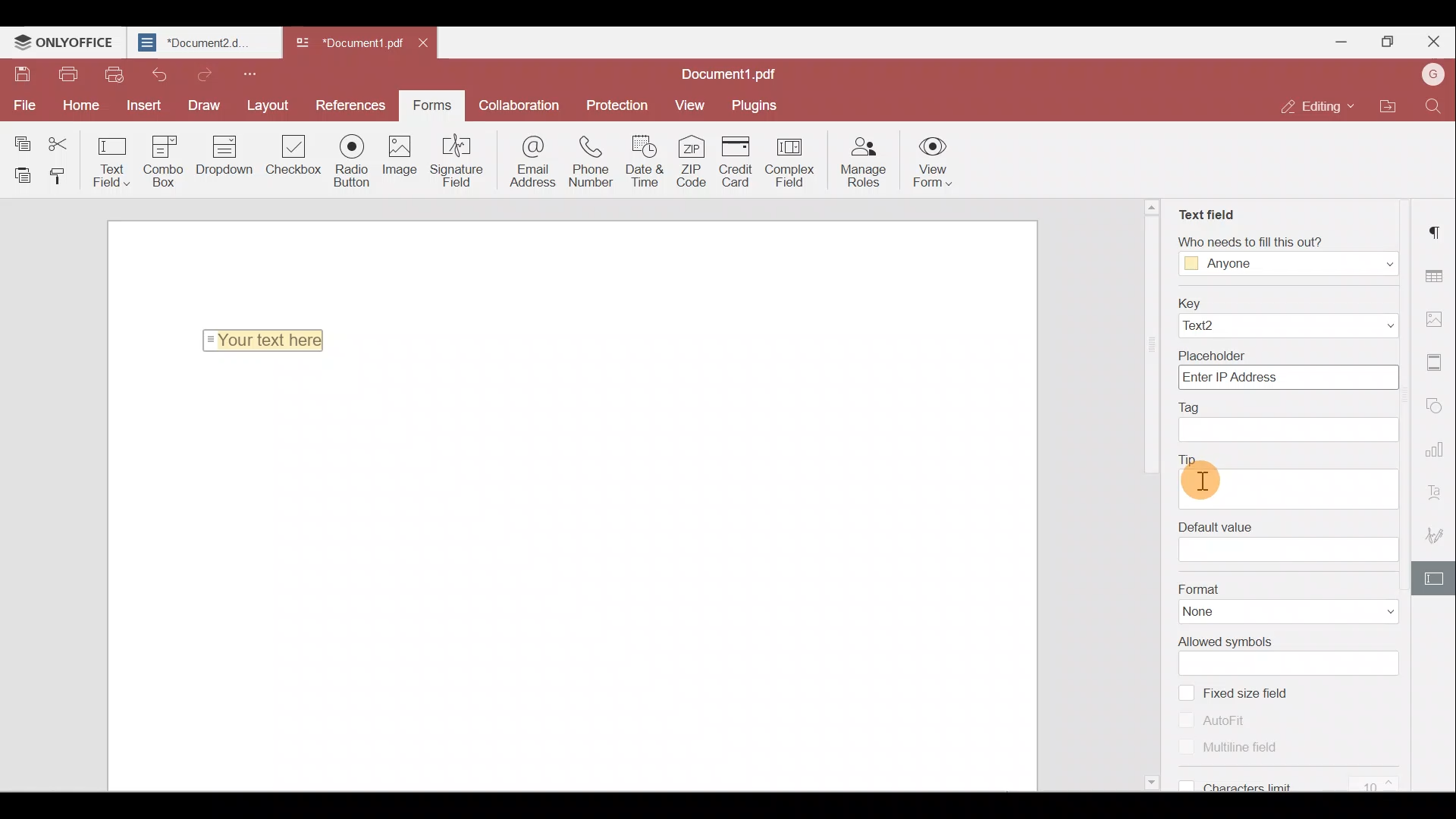  Describe the element at coordinates (1438, 488) in the screenshot. I see `Text Art settings` at that location.